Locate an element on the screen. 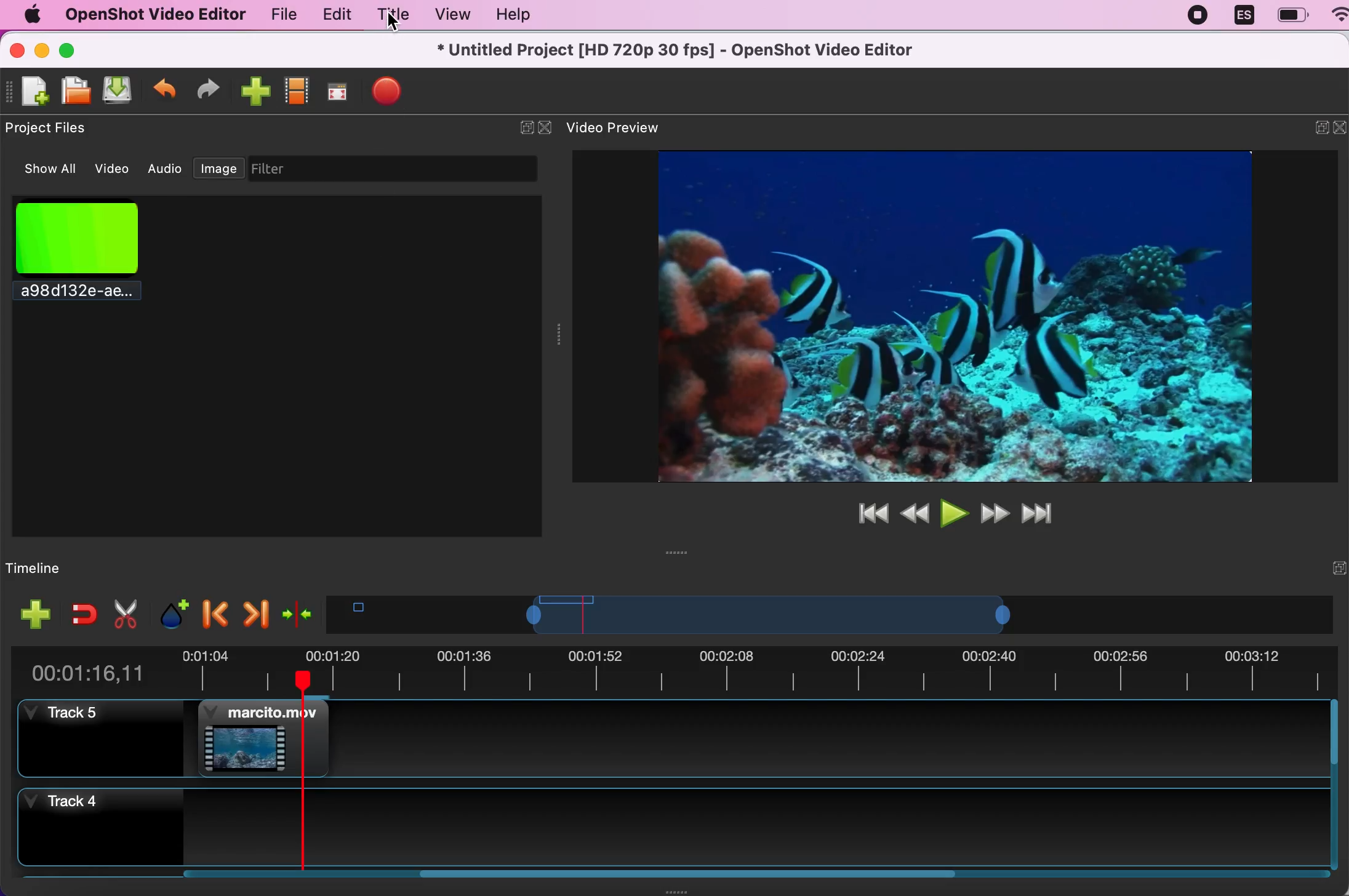 The image size is (1349, 896). timeline is located at coordinates (815, 614).